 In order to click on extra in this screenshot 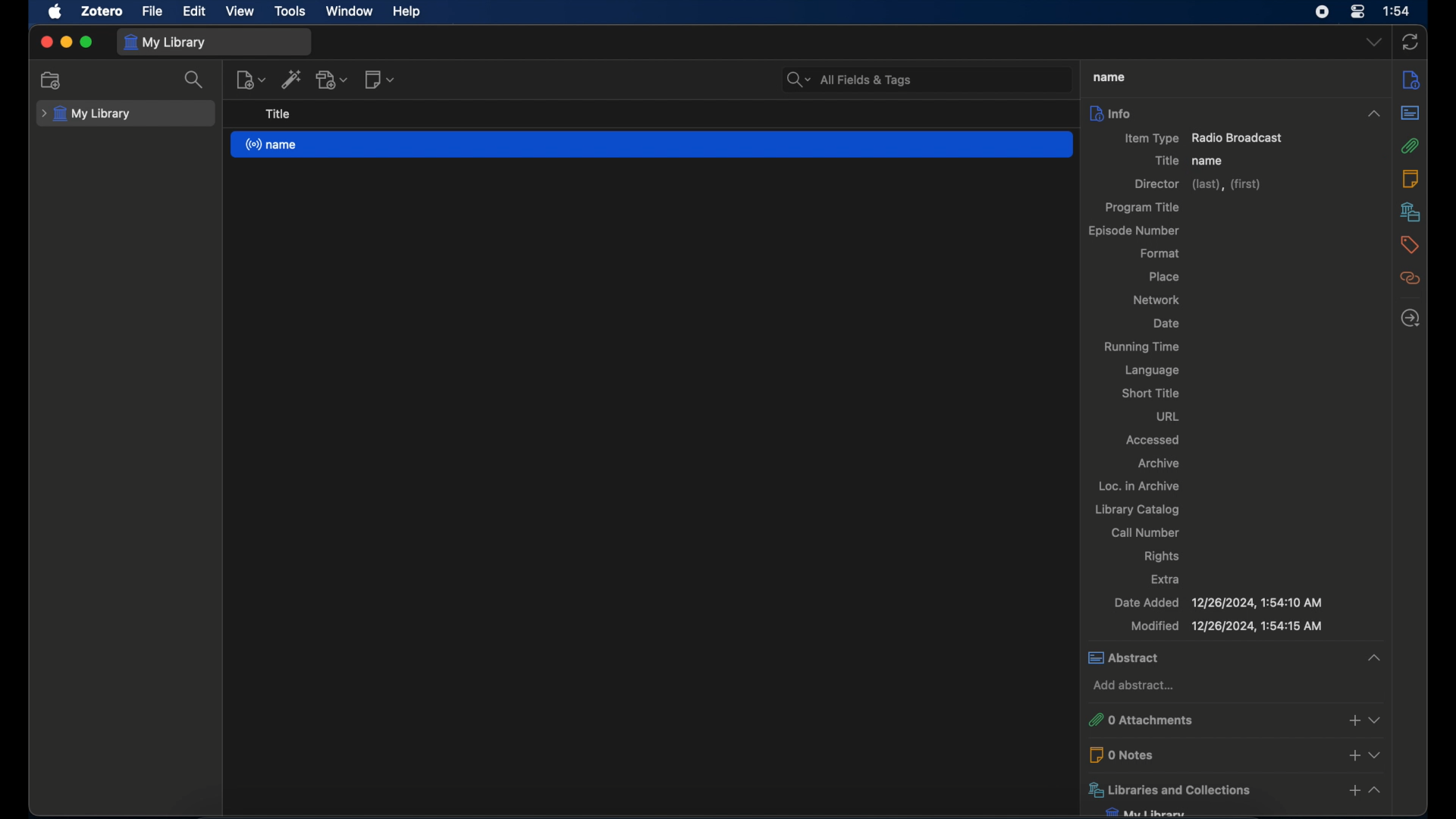, I will do `click(1168, 579)`.